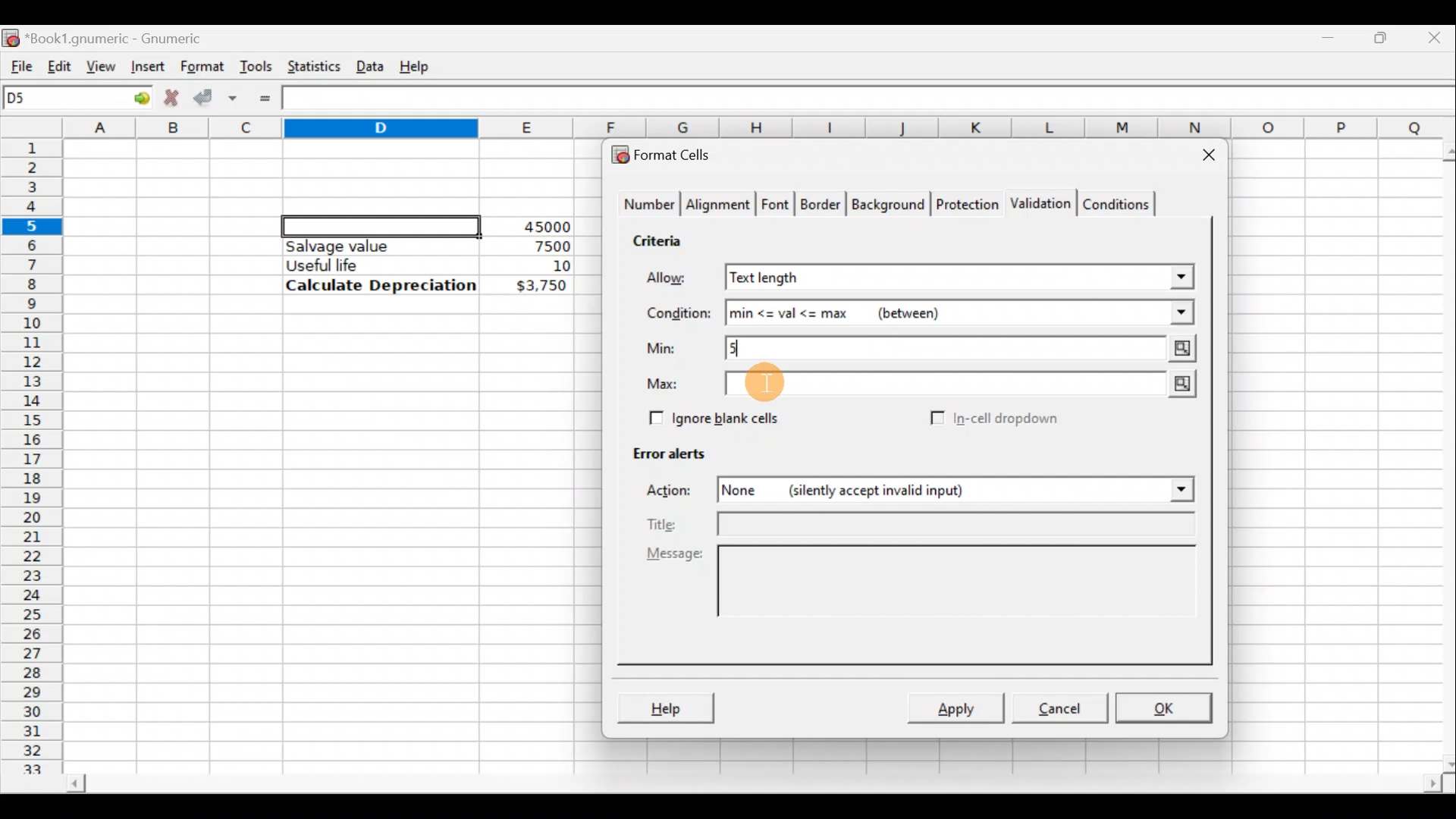  I want to click on Statistics, so click(310, 65).